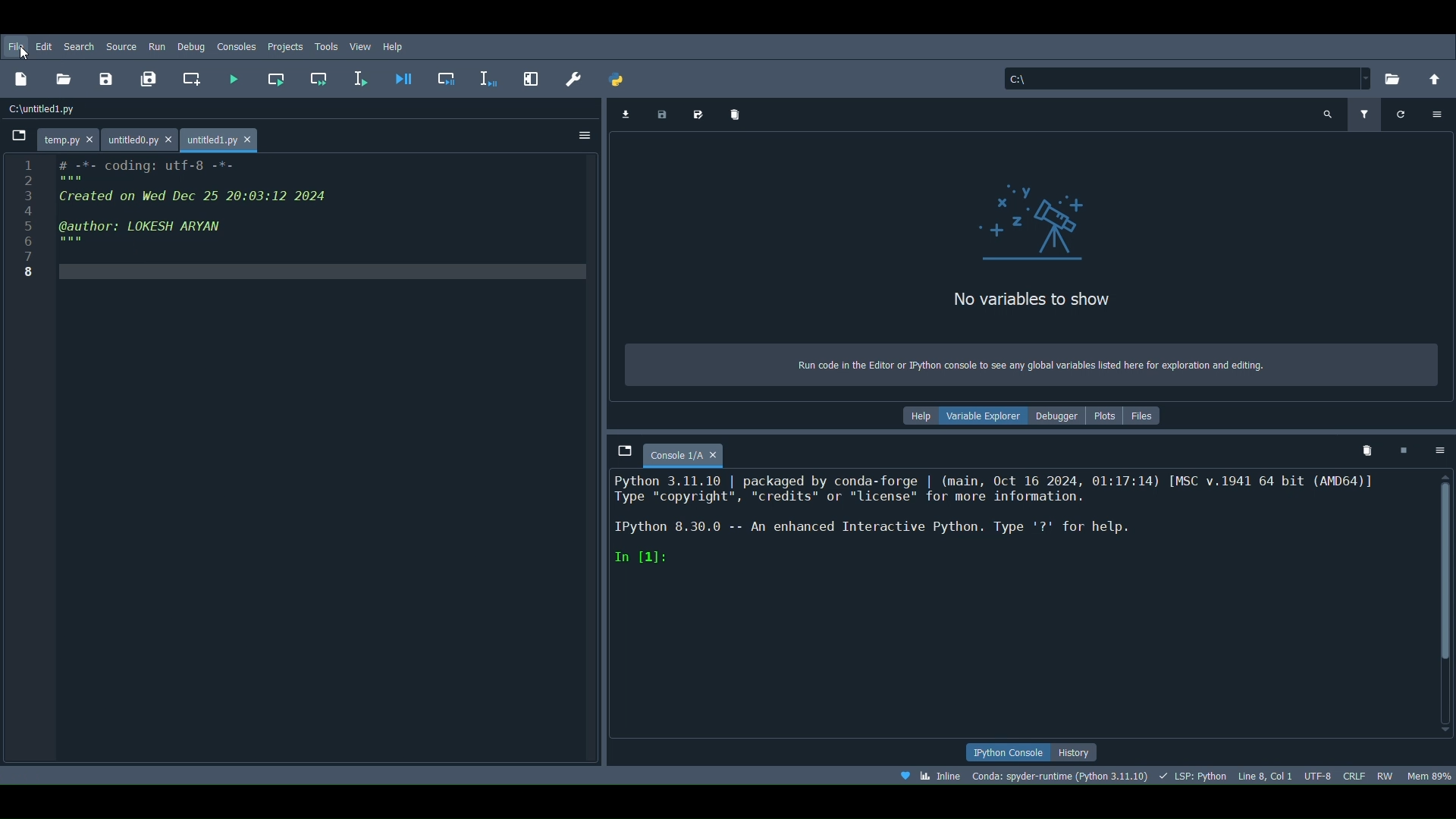 The width and height of the screenshot is (1456, 819). Describe the element at coordinates (24, 79) in the screenshot. I see `New file (Ctrl + N)` at that location.